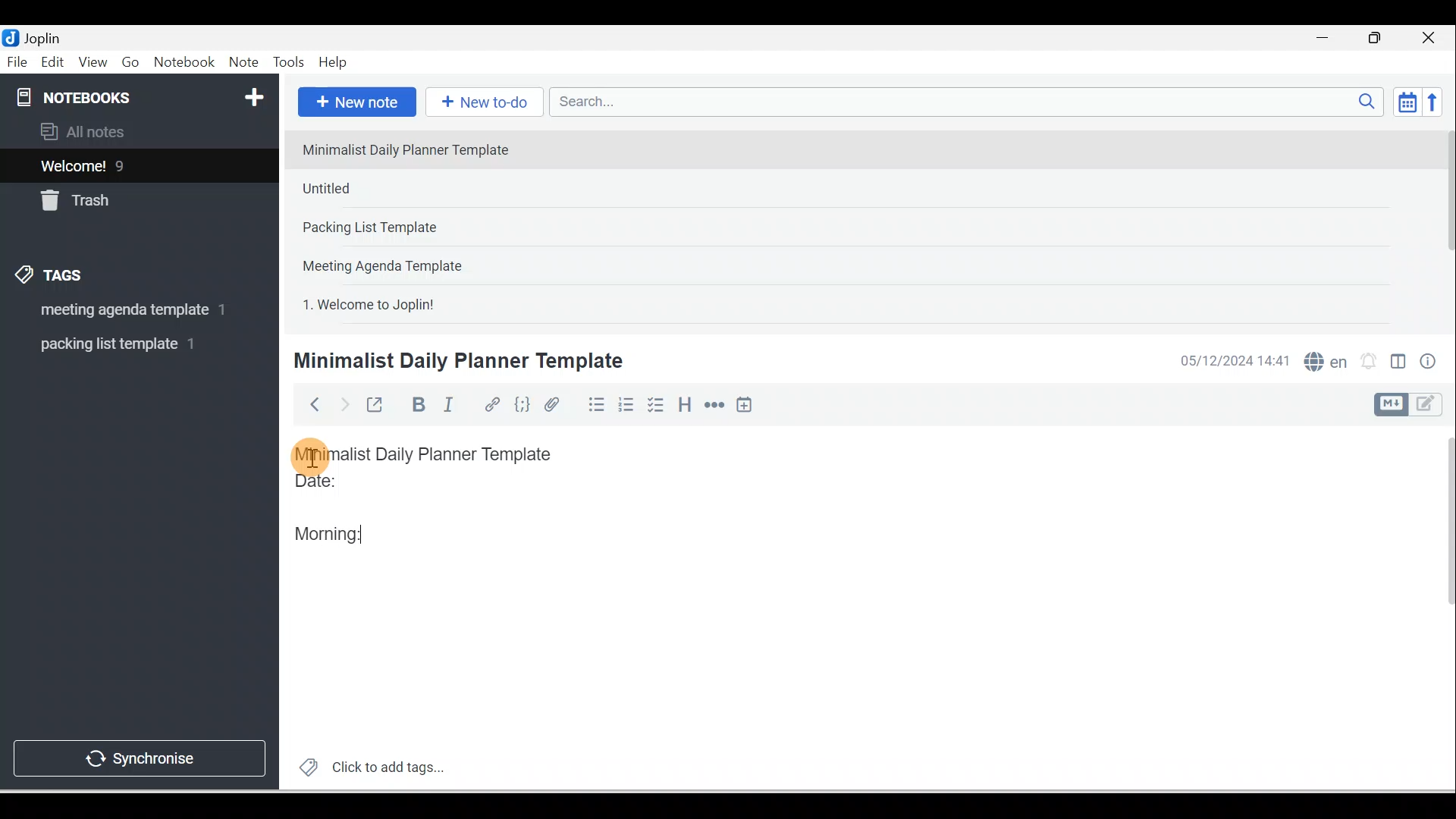  I want to click on Maximise, so click(1380, 39).